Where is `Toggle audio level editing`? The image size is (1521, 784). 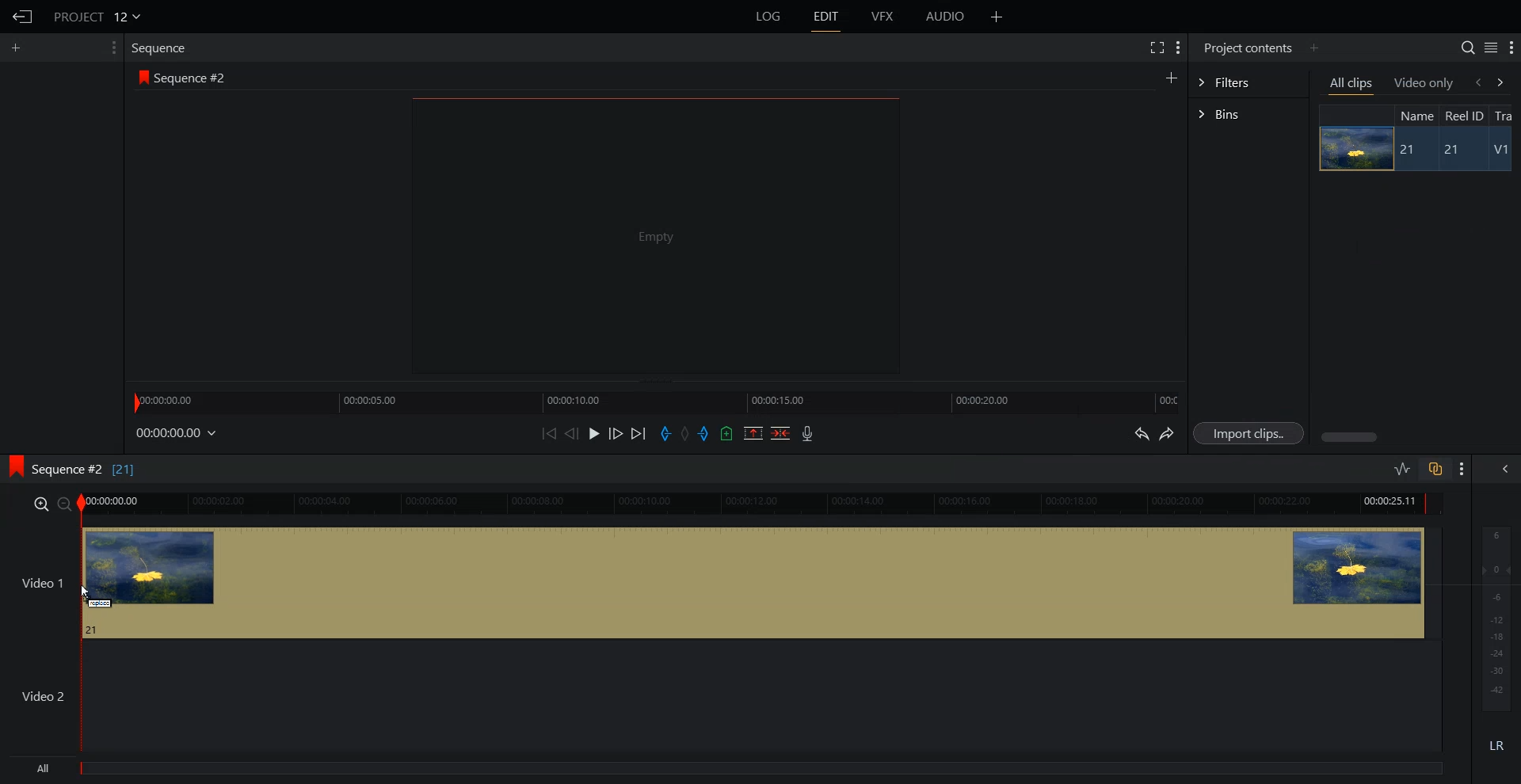 Toggle audio level editing is located at coordinates (1403, 468).